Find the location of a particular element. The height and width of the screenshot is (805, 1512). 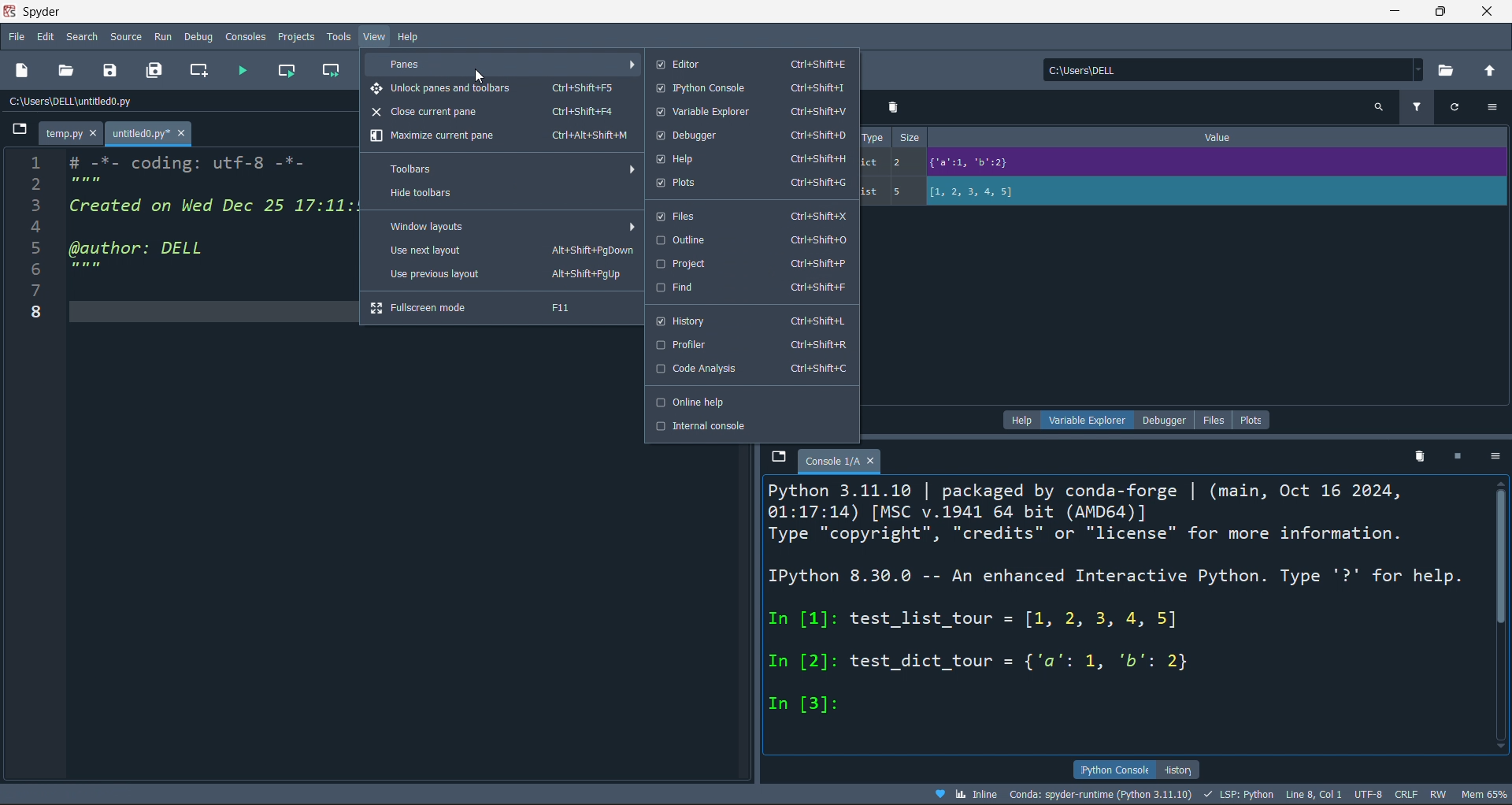

delete is located at coordinates (1417, 457).